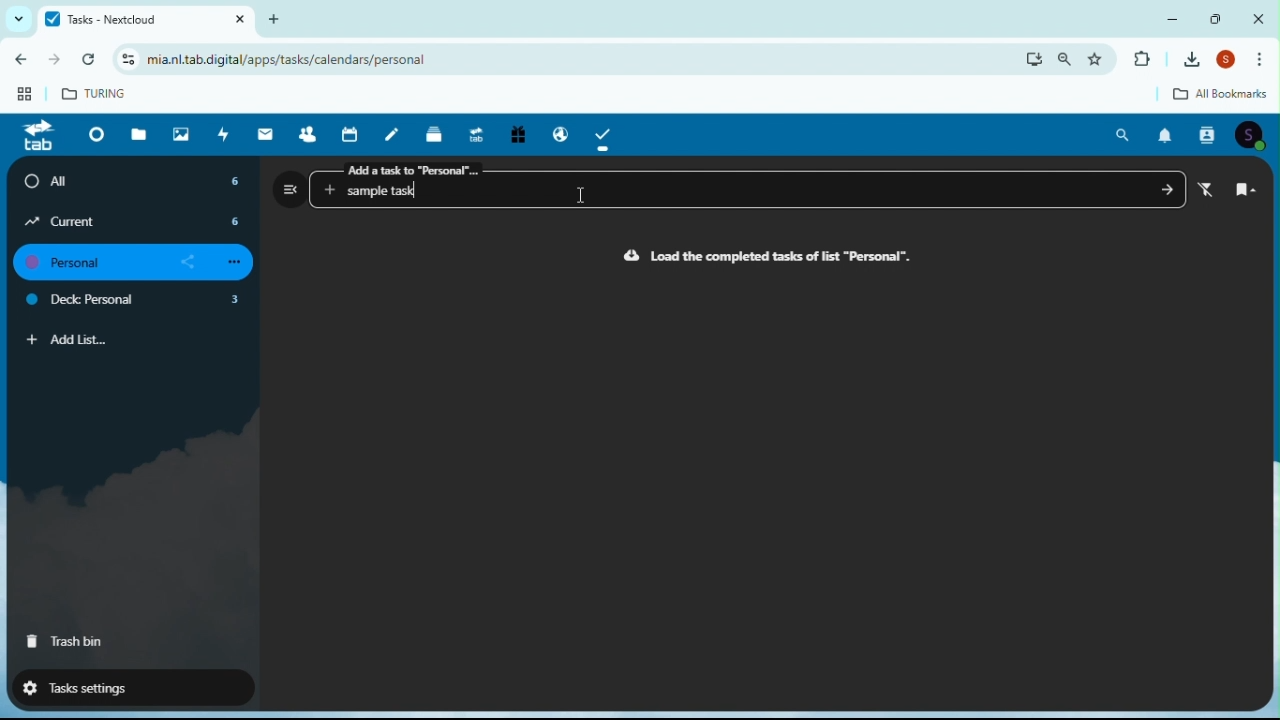  I want to click on web, so click(21, 98).